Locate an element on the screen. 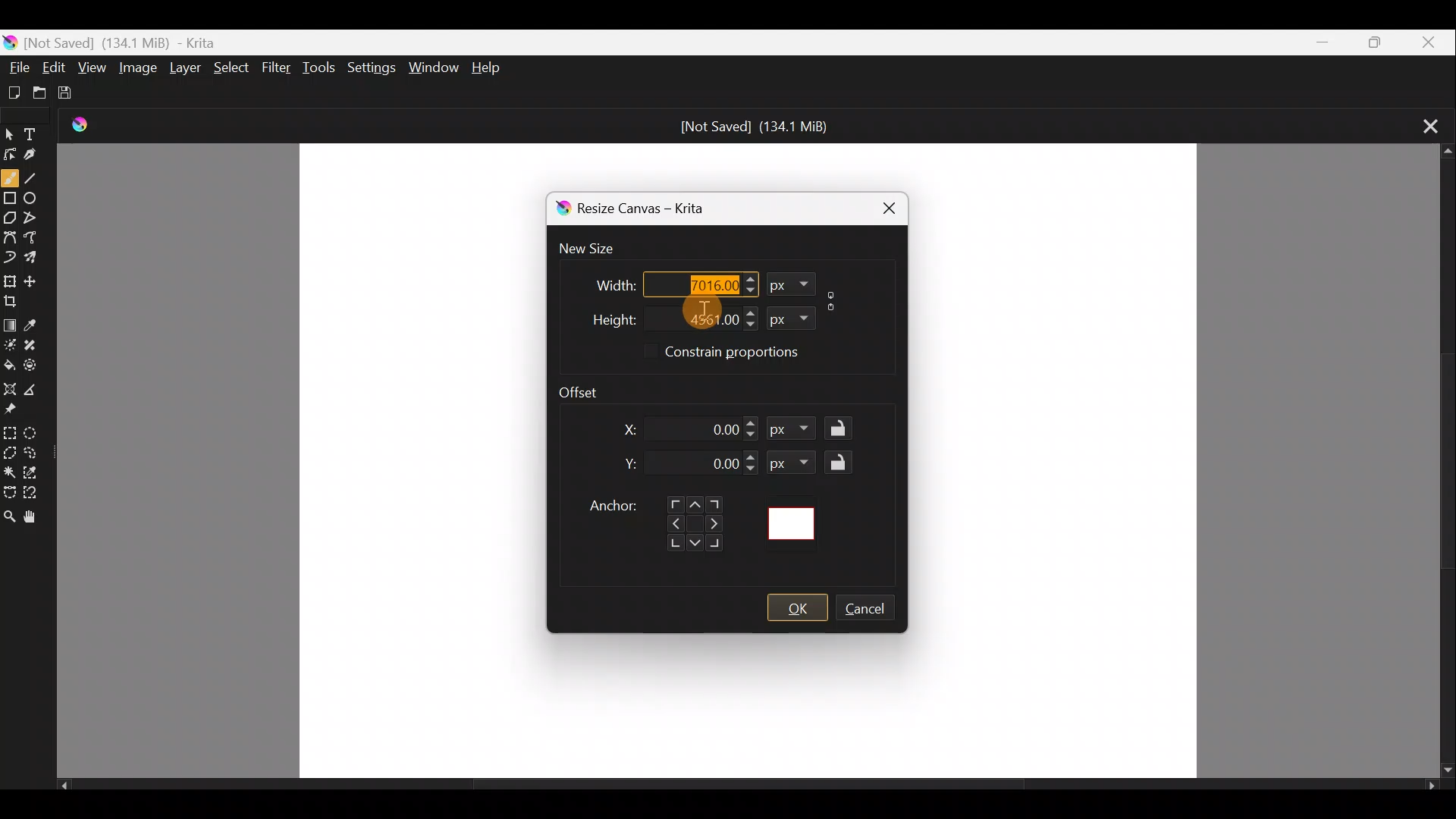 The image size is (1456, 819). Width is located at coordinates (604, 281).